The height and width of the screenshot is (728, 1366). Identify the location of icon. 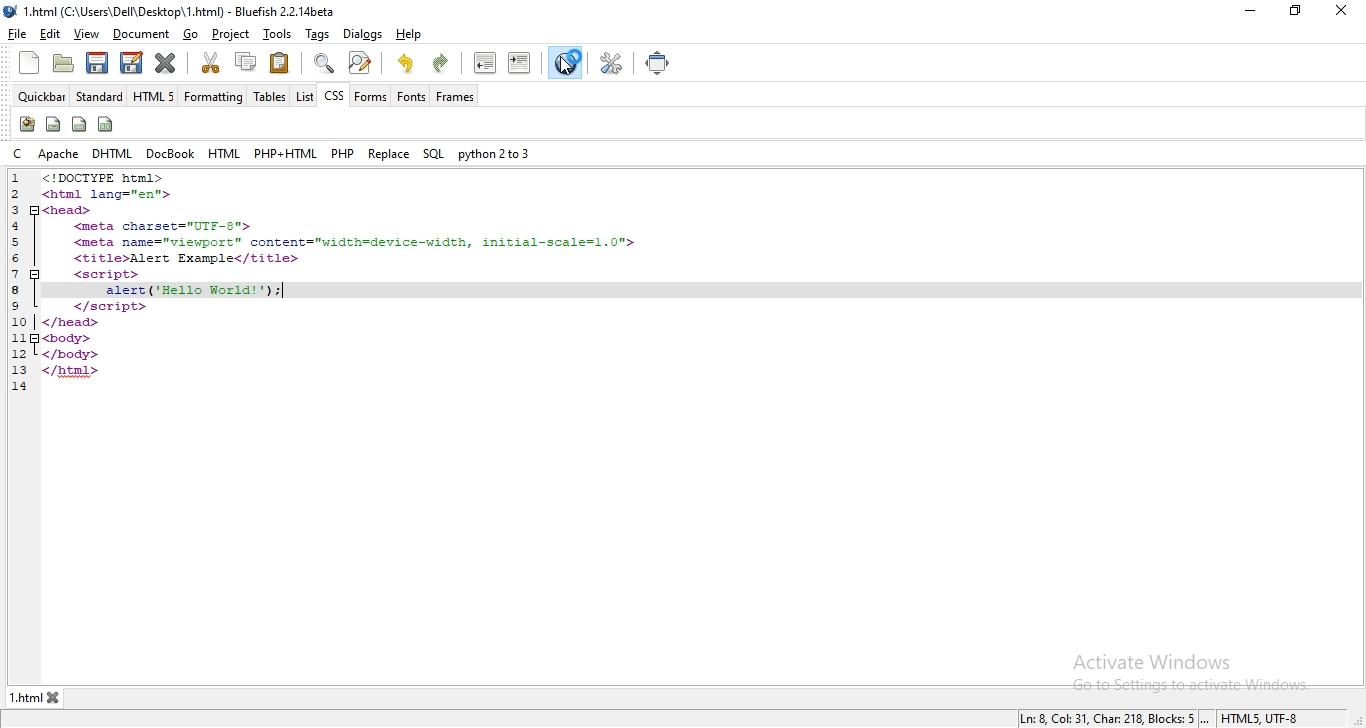
(53, 125).